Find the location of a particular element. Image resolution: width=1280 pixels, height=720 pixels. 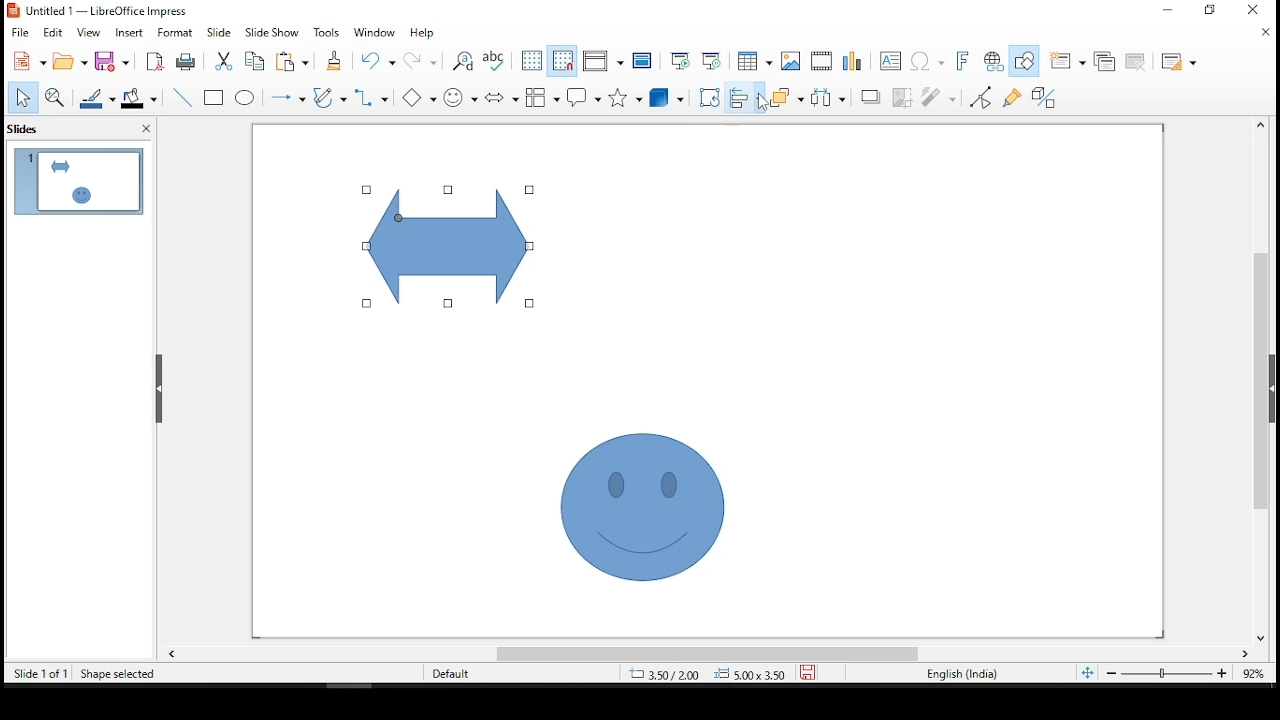

fit slide to current window is located at coordinates (1085, 672).